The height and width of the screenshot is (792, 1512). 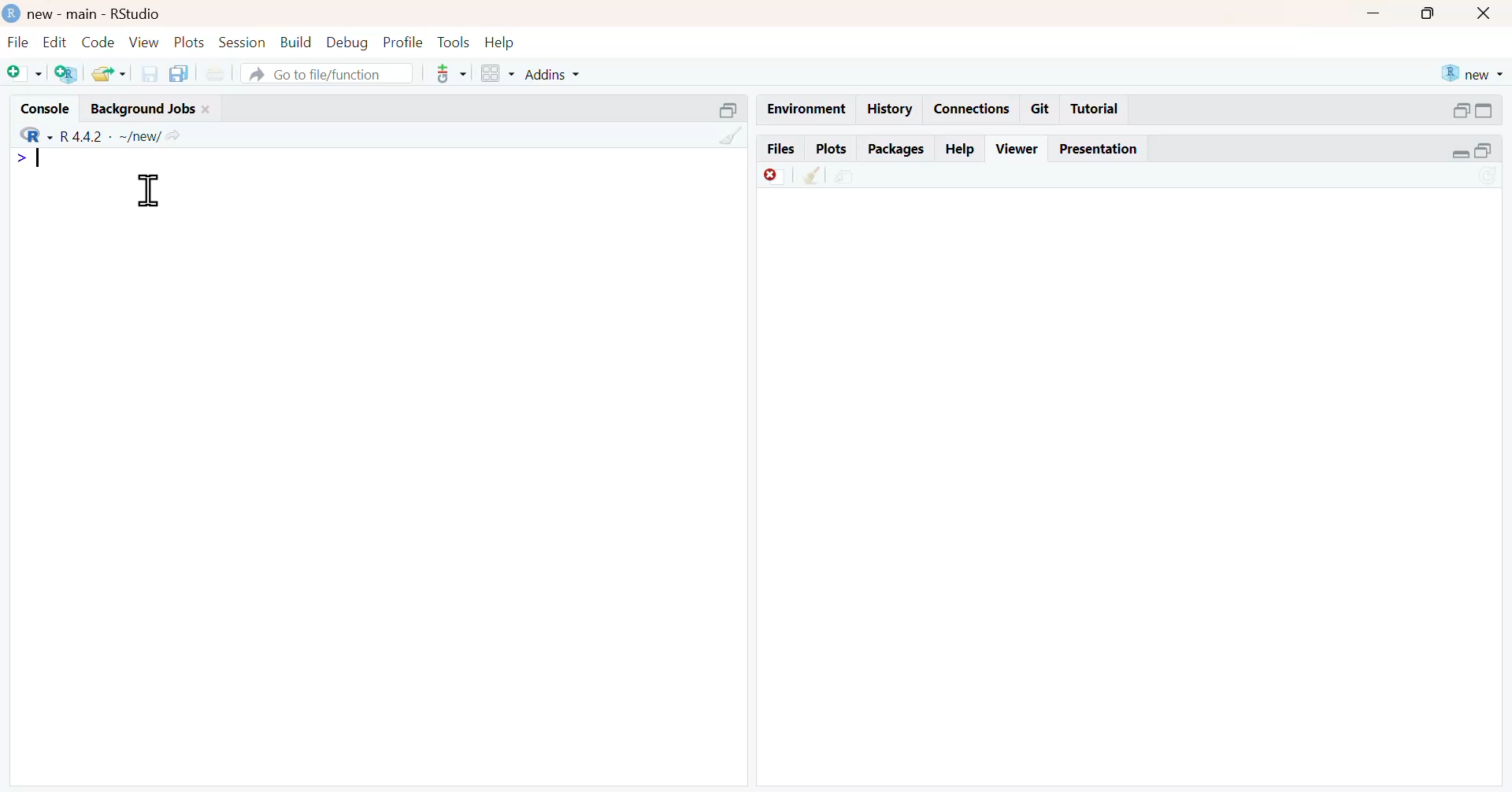 I want to click on maximize, so click(x=1494, y=110).